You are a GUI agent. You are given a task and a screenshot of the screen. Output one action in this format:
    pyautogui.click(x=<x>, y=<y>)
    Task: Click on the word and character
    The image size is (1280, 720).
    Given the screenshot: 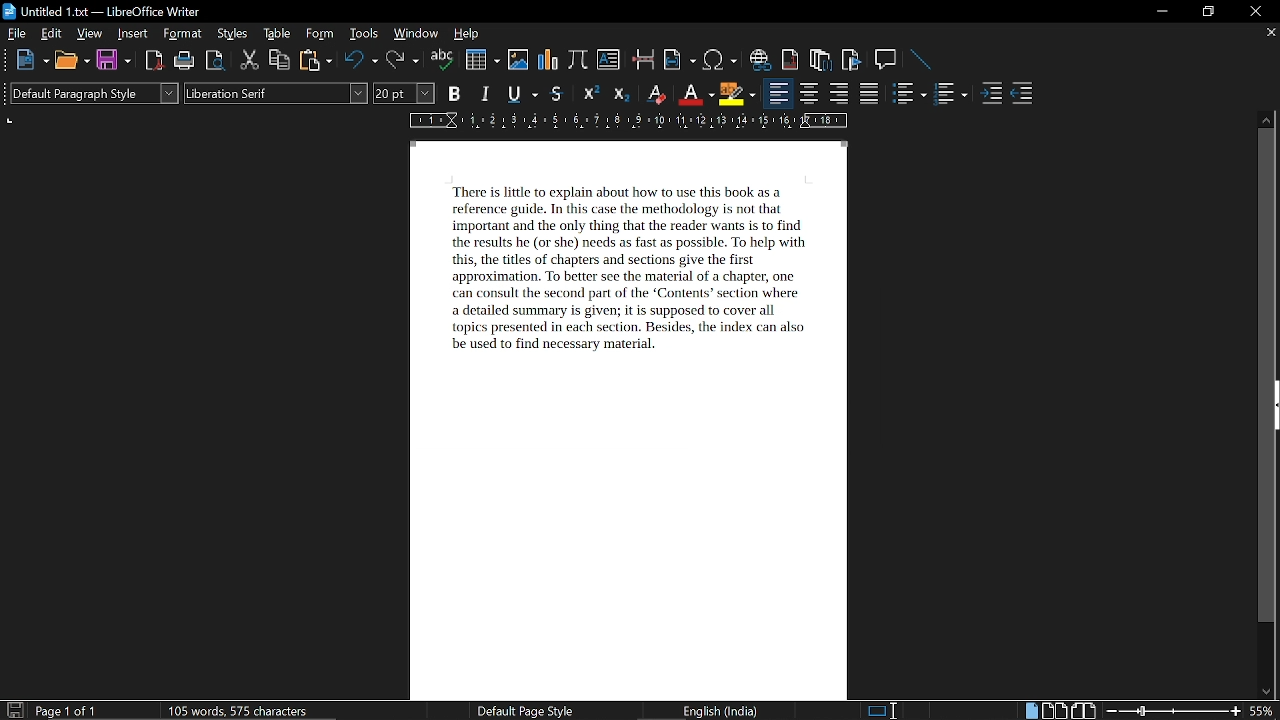 What is the action you would take?
    pyautogui.click(x=242, y=710)
    